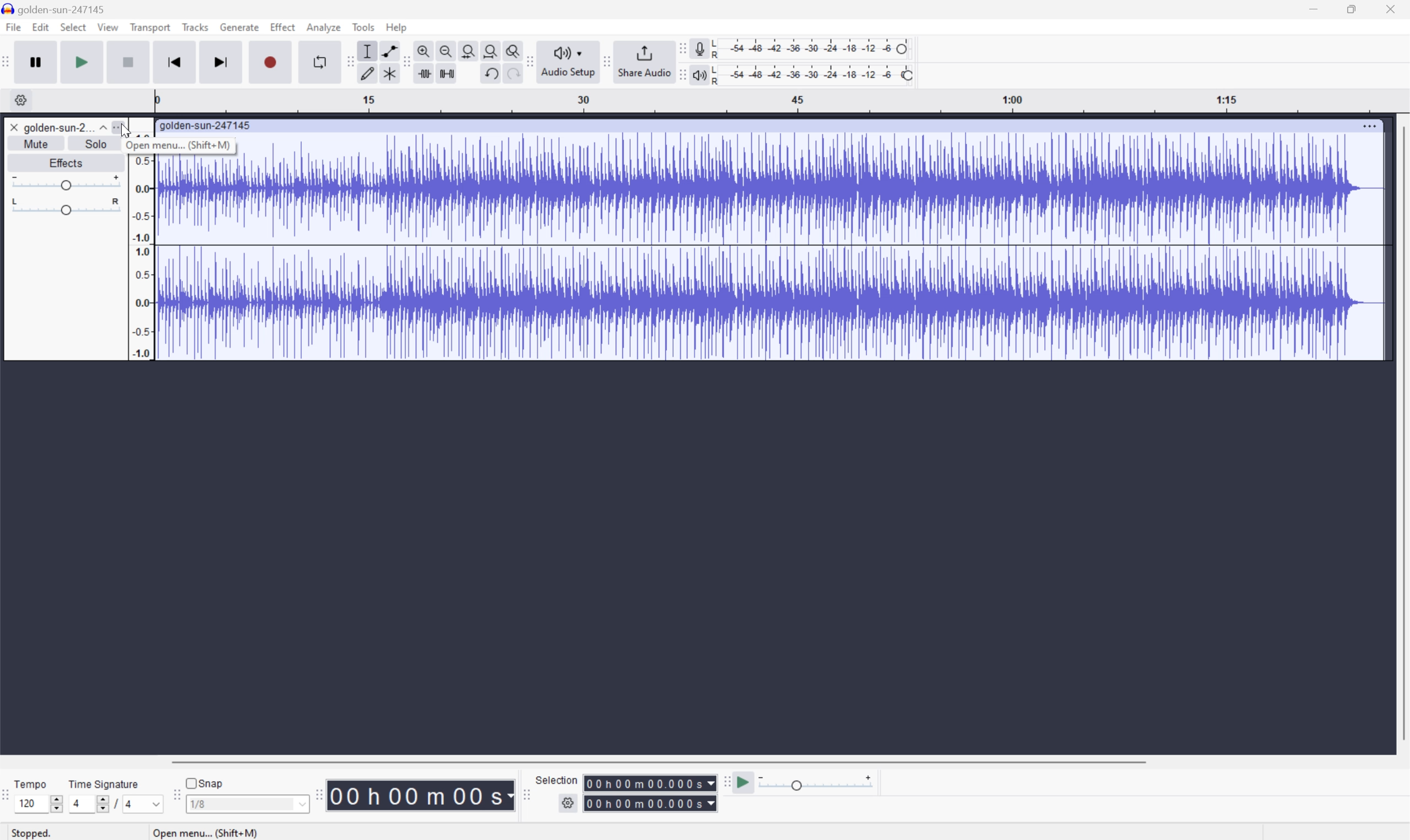  What do you see at coordinates (1401, 432) in the screenshot?
I see `Scroll Bar` at bounding box center [1401, 432].